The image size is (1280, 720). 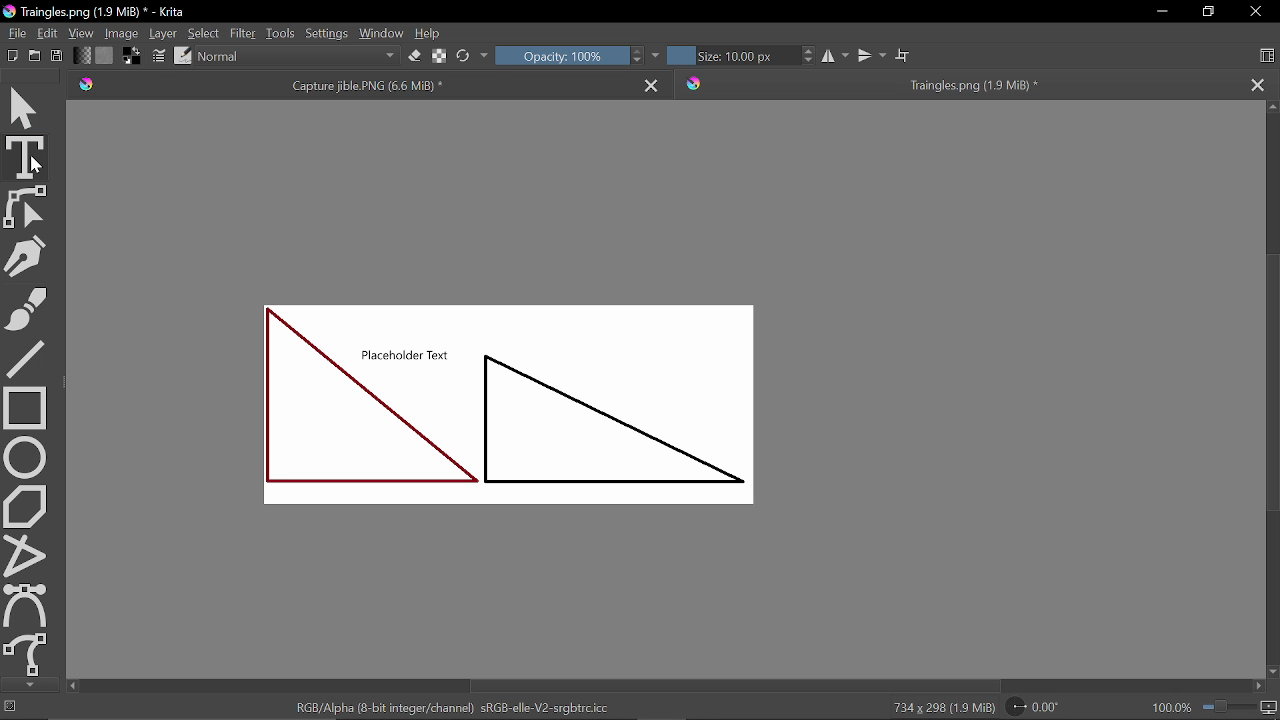 I want to click on Close tab, so click(x=653, y=82).